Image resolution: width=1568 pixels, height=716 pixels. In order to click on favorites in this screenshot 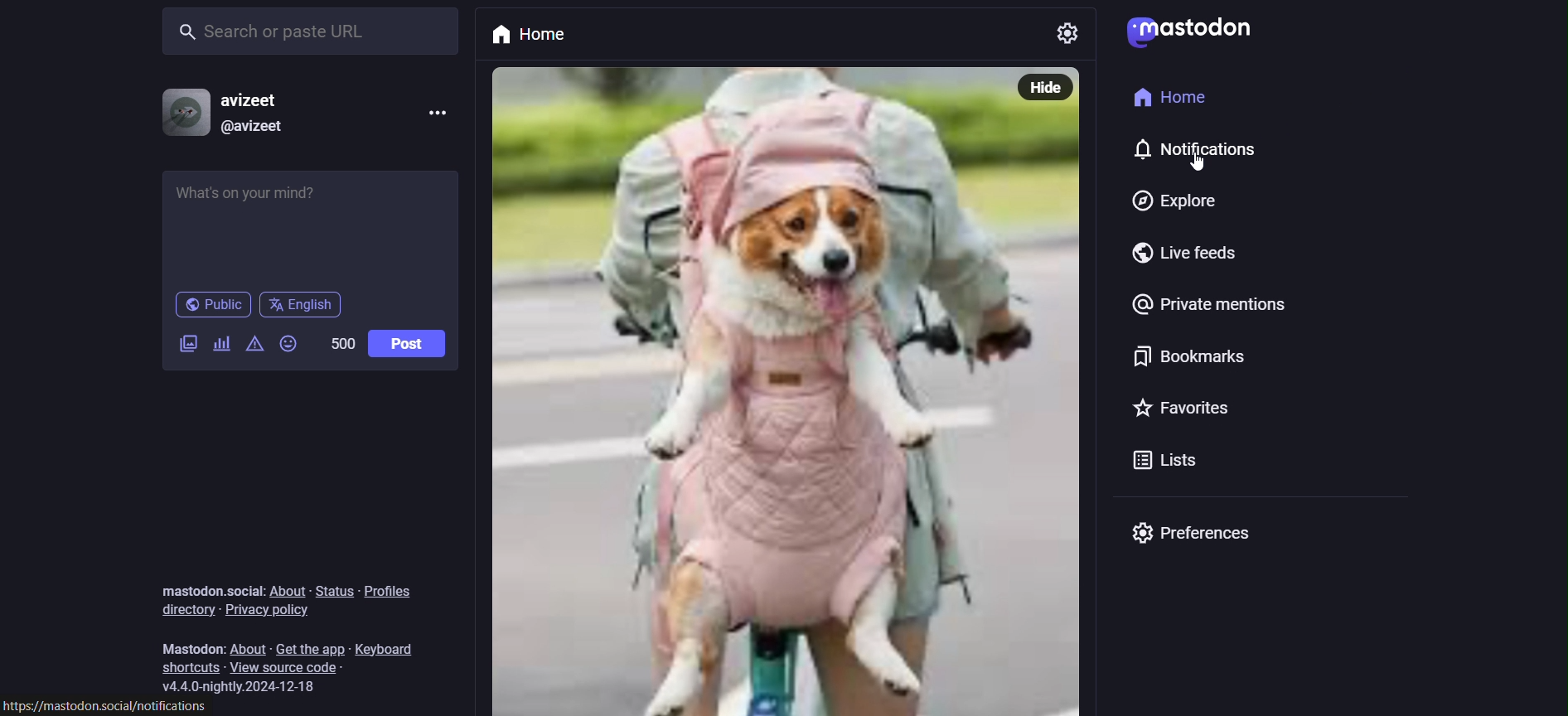, I will do `click(1183, 409)`.